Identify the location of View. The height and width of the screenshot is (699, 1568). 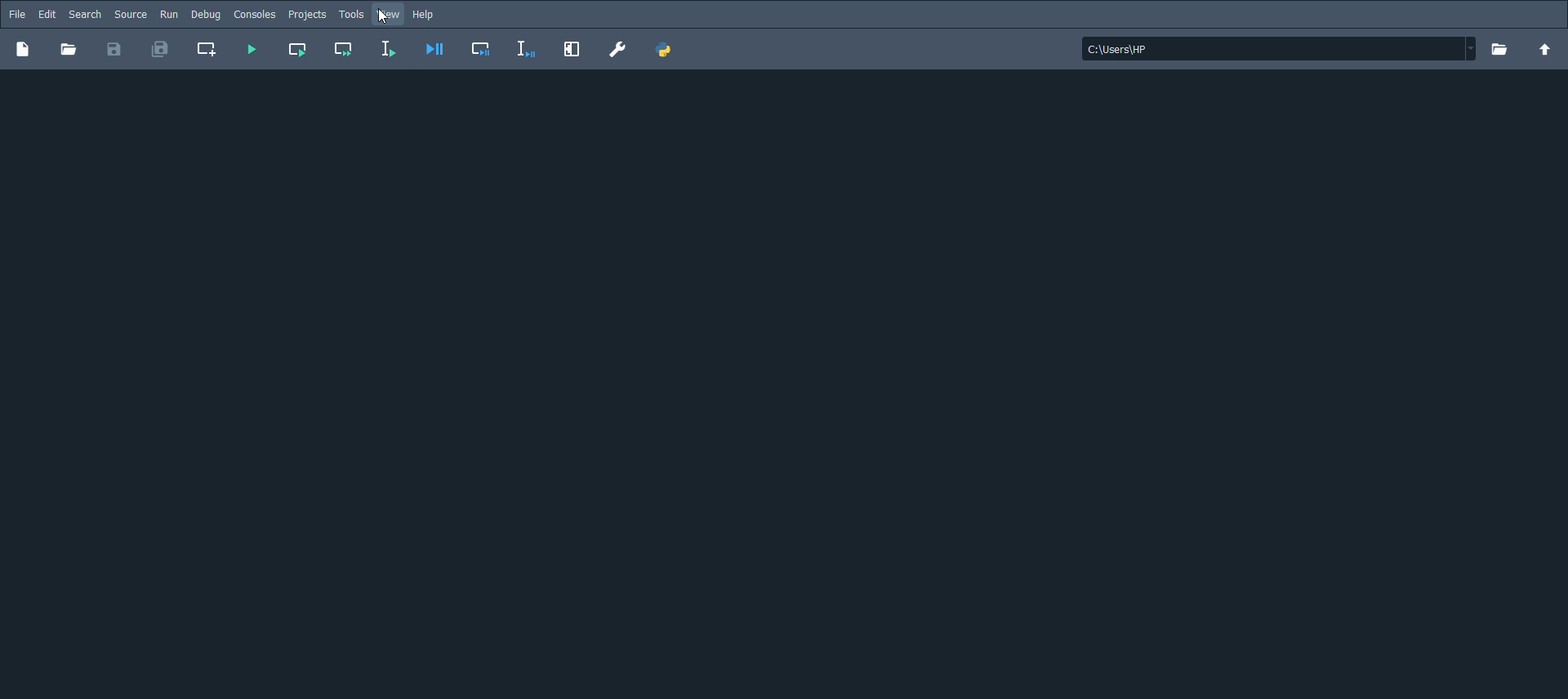
(391, 16).